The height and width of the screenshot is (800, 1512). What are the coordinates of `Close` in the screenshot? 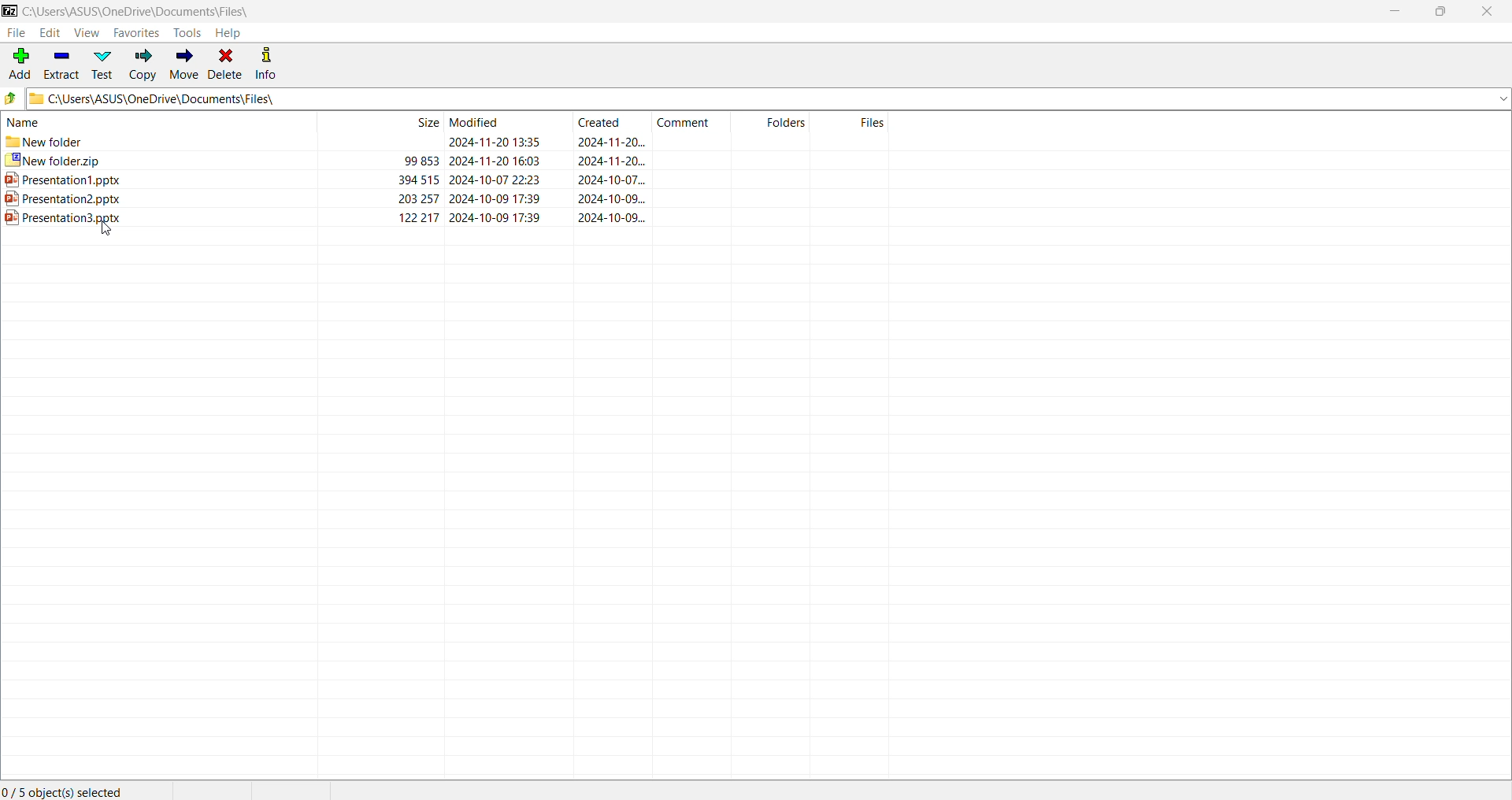 It's located at (1486, 13).